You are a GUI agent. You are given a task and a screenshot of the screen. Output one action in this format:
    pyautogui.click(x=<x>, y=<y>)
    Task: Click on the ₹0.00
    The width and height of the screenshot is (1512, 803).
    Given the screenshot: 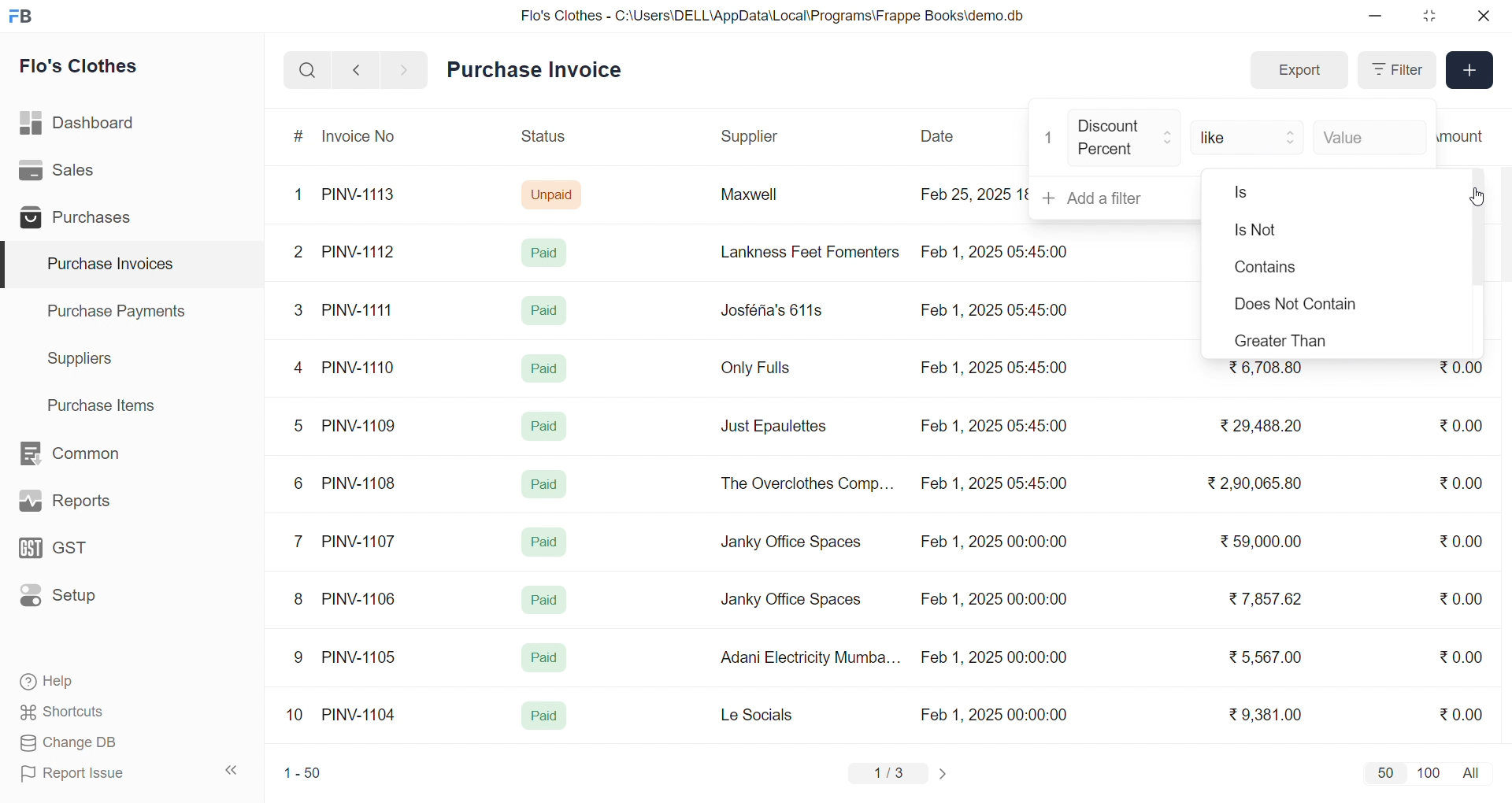 What is the action you would take?
    pyautogui.click(x=1466, y=539)
    